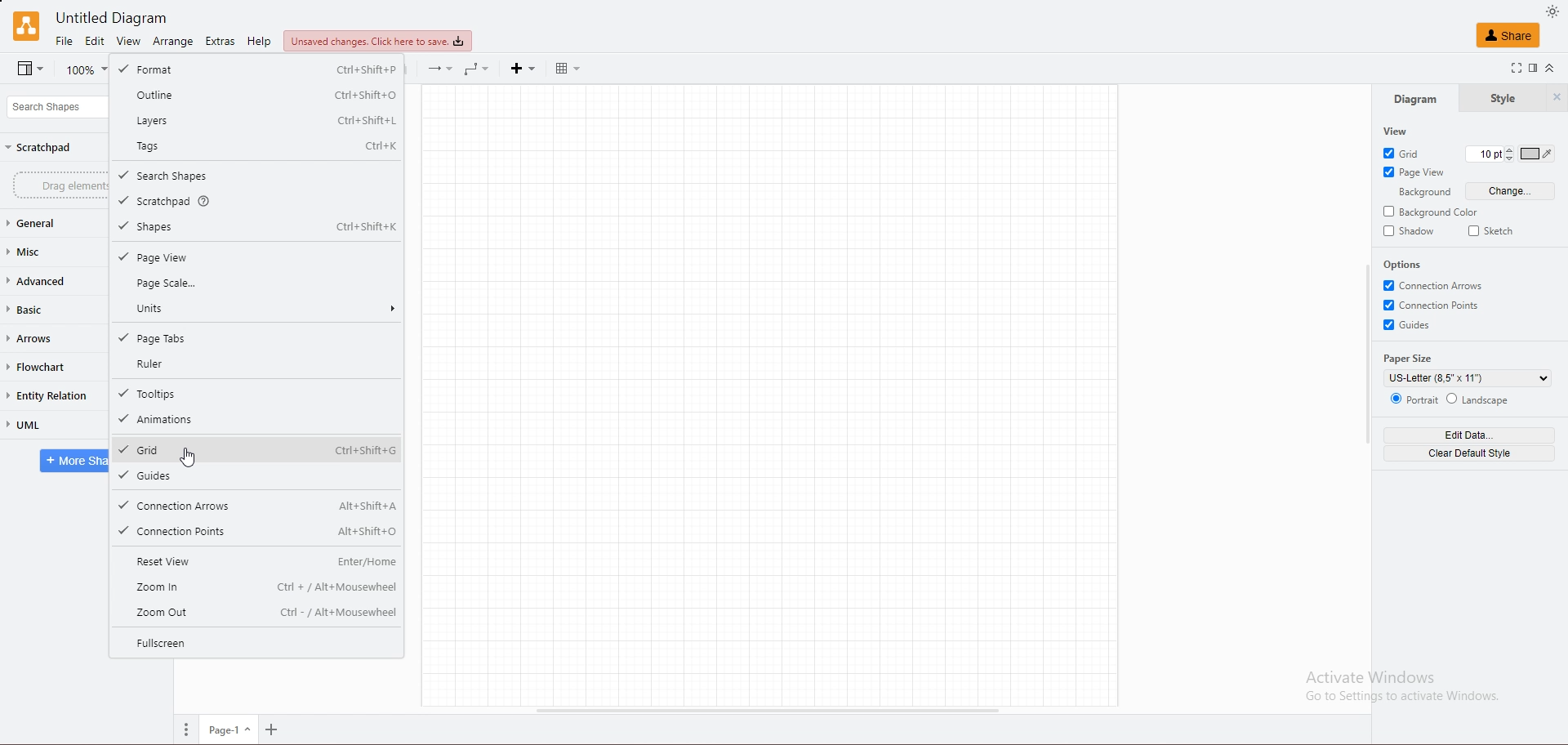  Describe the element at coordinates (257, 448) in the screenshot. I see `grid                    Ctrl+Shift+G` at that location.